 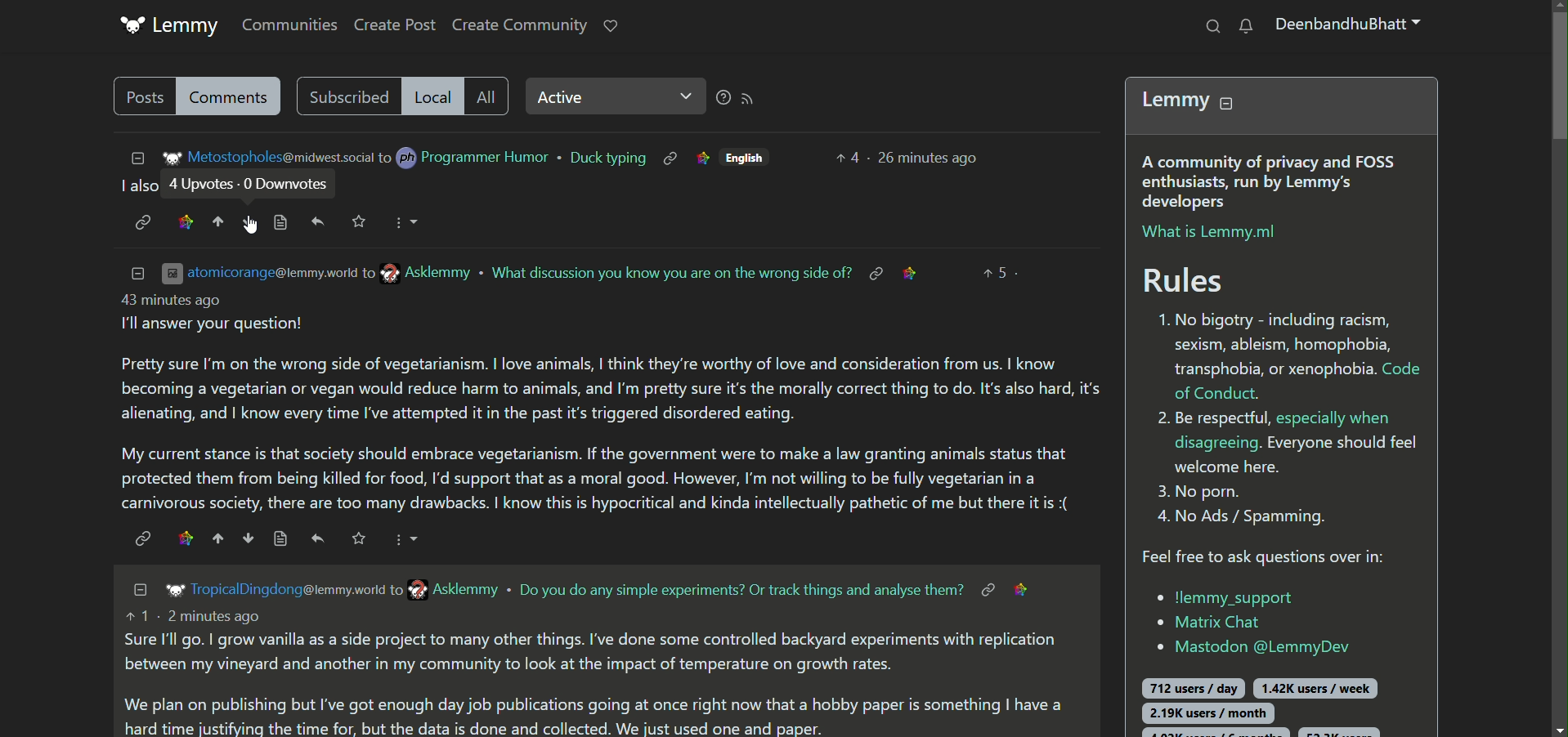 What do you see at coordinates (701, 159) in the screenshot?
I see `highlight` at bounding box center [701, 159].